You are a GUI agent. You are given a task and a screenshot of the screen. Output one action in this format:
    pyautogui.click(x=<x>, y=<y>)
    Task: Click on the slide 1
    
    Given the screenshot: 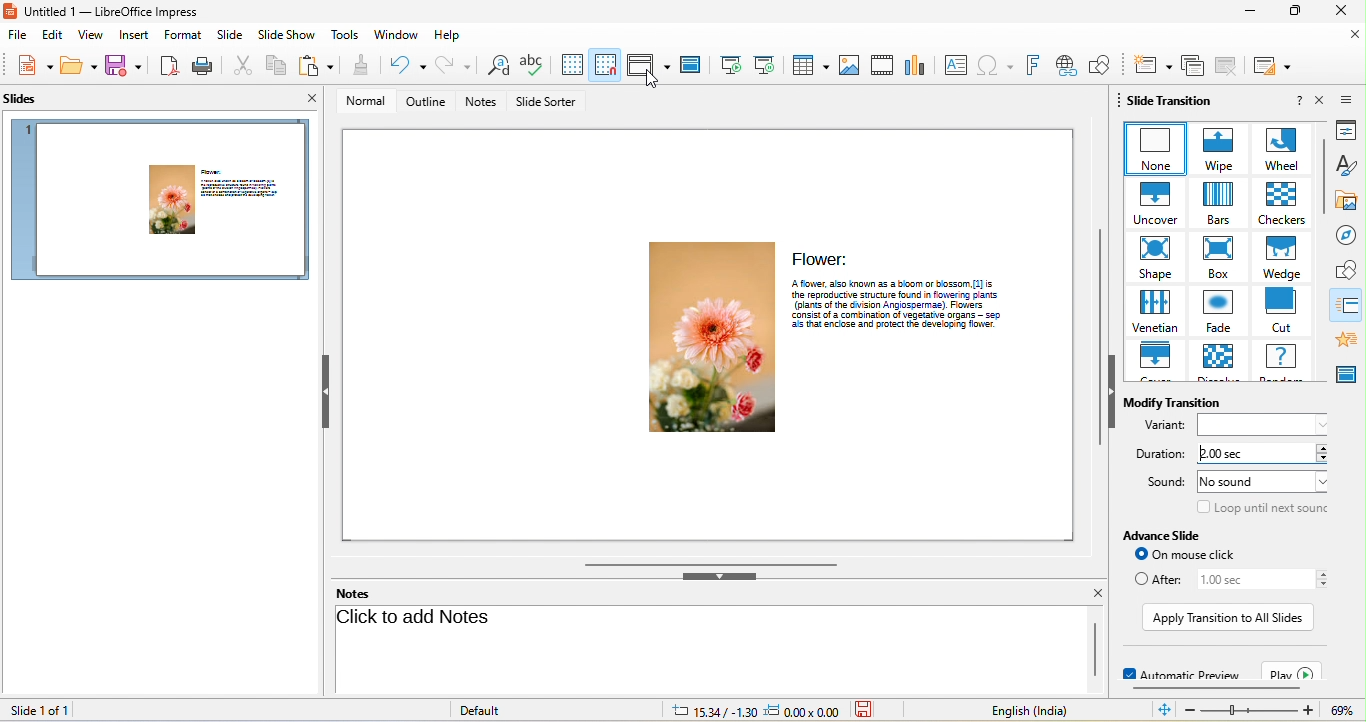 What is the action you would take?
    pyautogui.click(x=163, y=202)
    